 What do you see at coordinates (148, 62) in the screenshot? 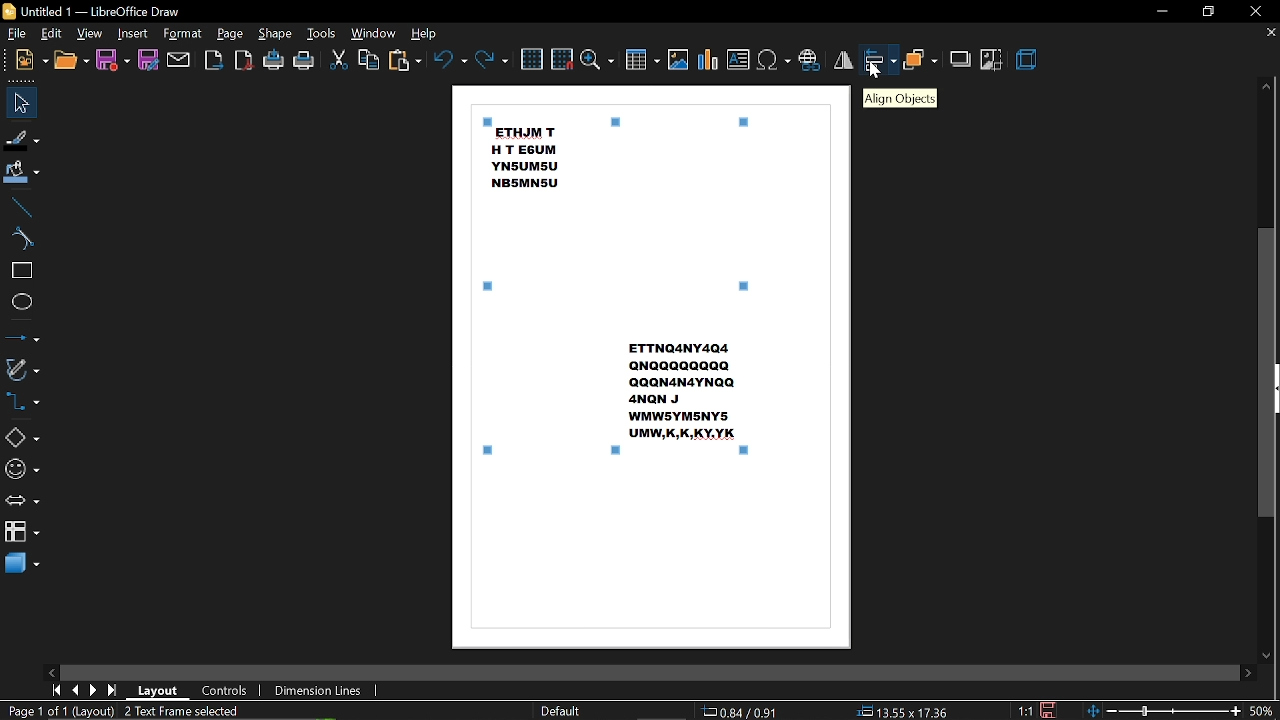
I see `save as` at bounding box center [148, 62].